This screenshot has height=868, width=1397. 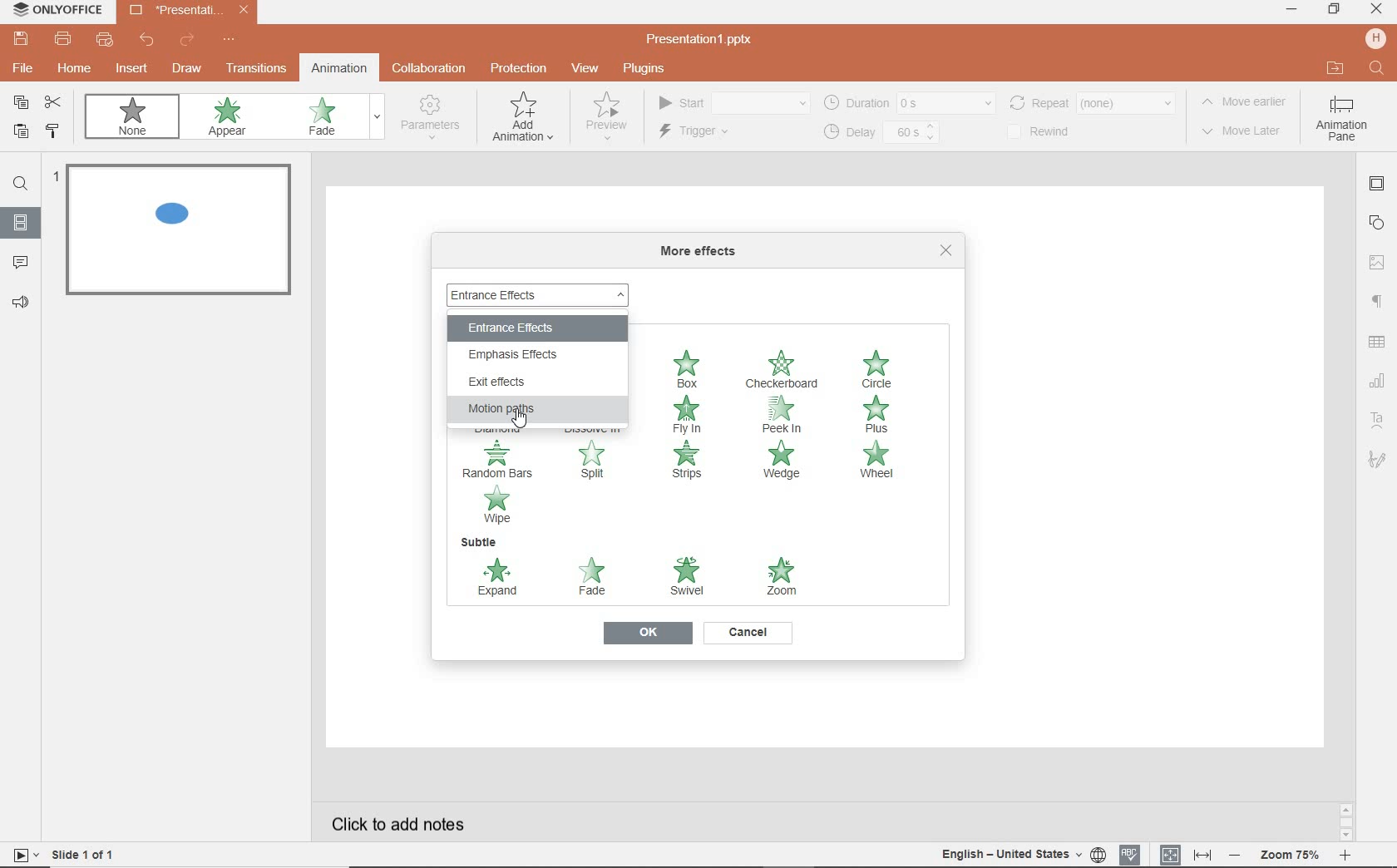 What do you see at coordinates (183, 233) in the screenshot?
I see `slide1` at bounding box center [183, 233].